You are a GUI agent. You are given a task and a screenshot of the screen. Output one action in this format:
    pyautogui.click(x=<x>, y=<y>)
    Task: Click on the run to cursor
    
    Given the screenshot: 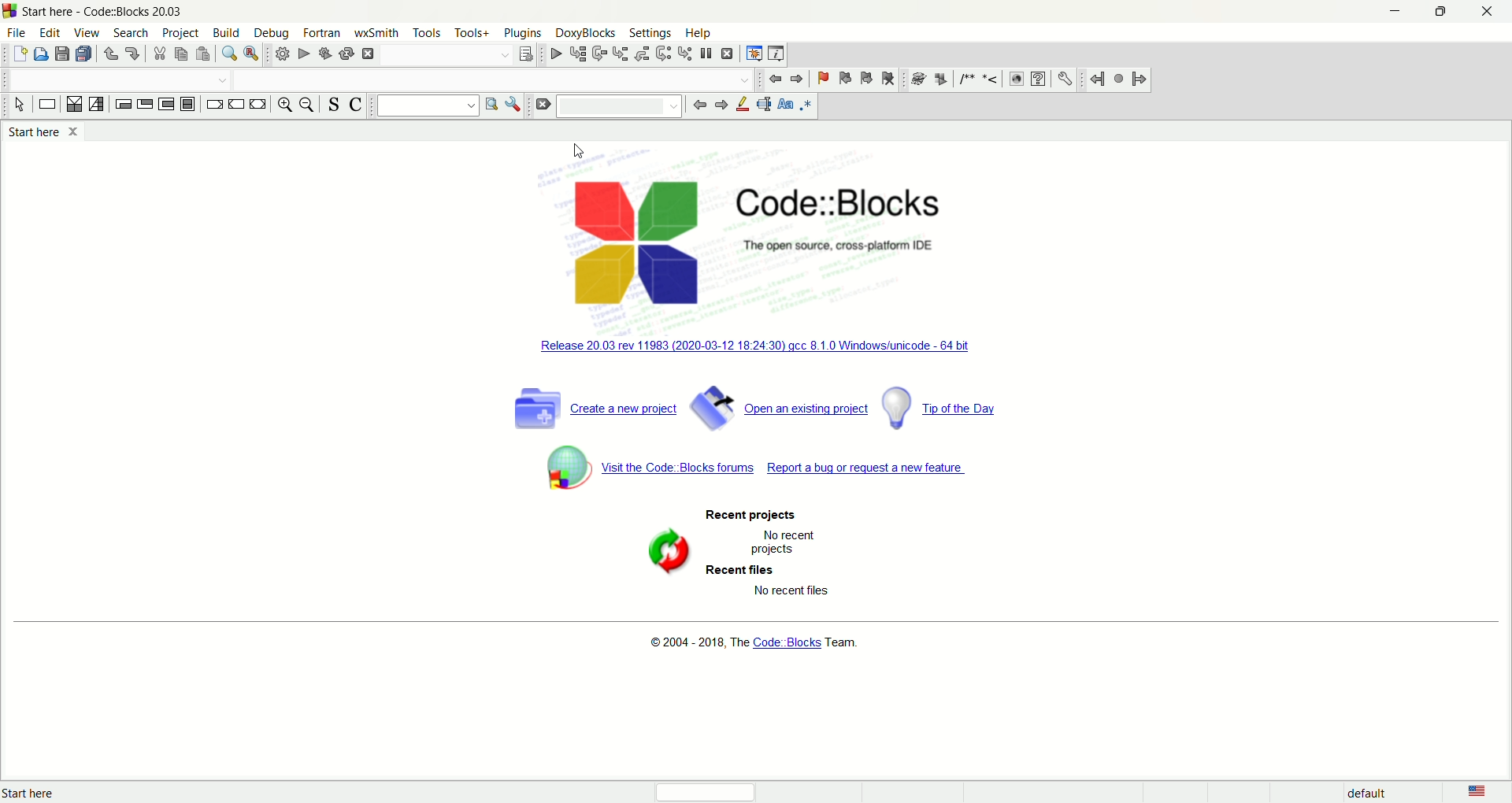 What is the action you would take?
    pyautogui.click(x=576, y=54)
    